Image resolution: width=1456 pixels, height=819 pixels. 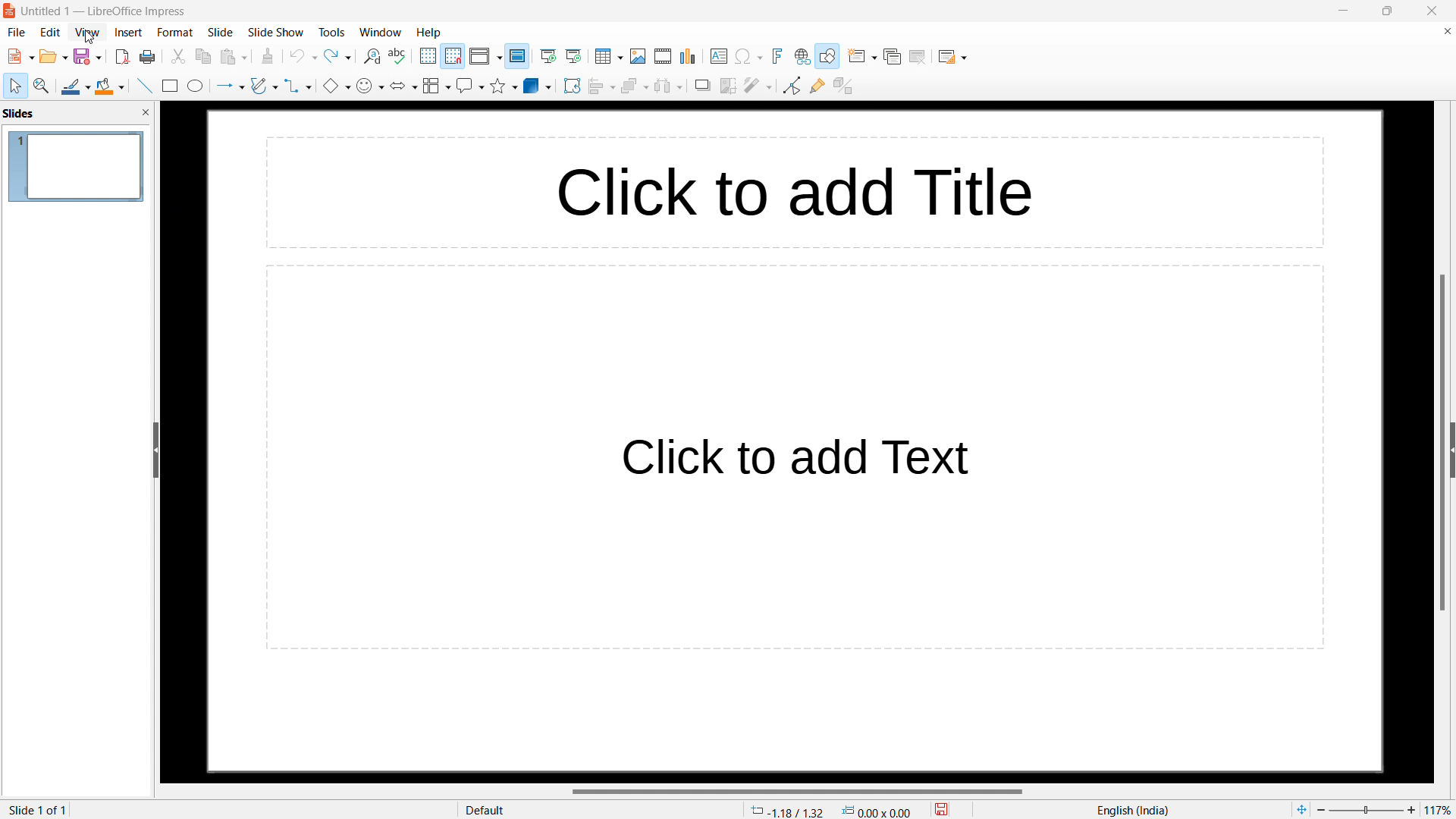 I want to click on slide show, so click(x=276, y=32).